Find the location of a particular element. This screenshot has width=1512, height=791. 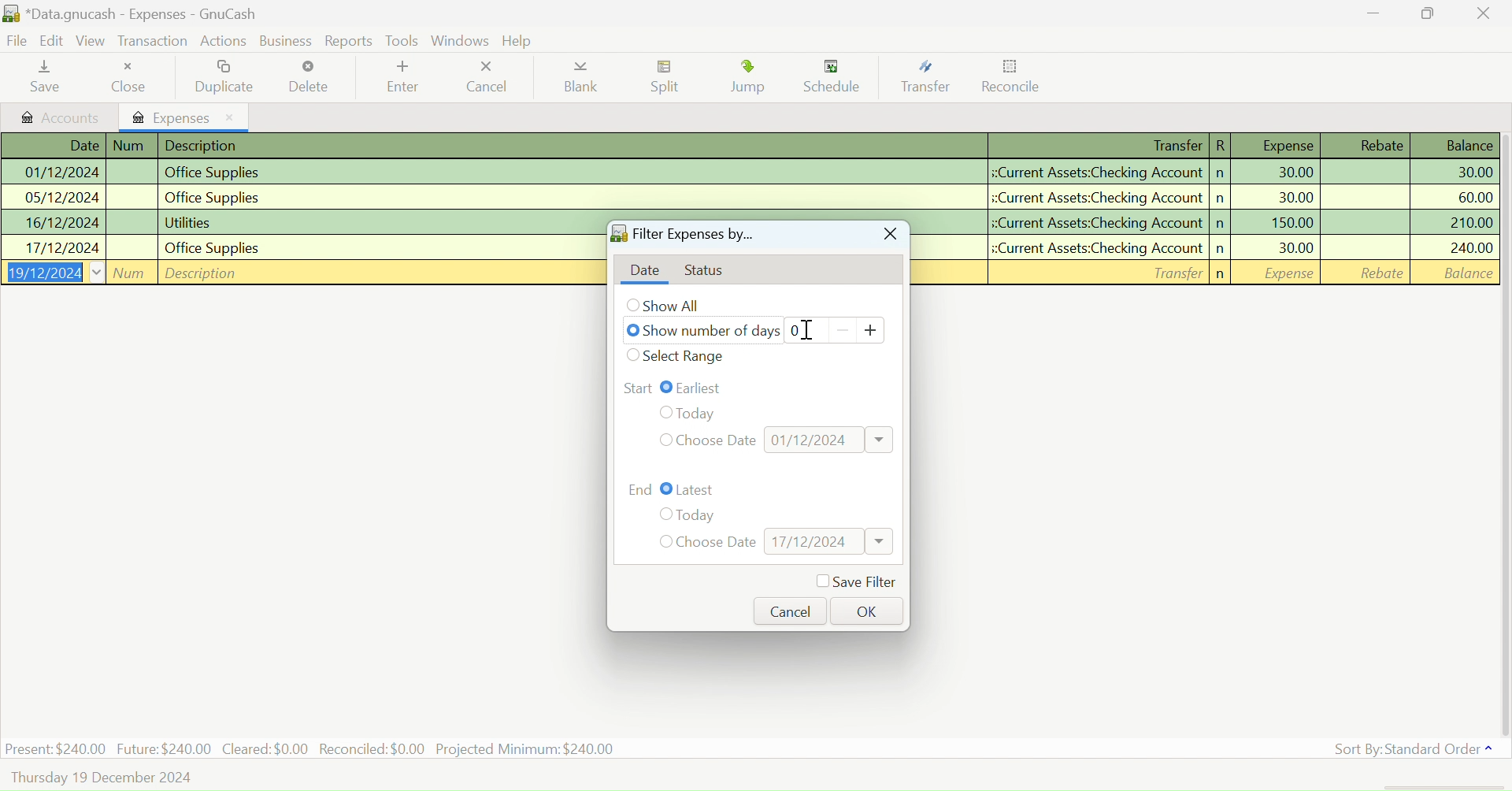

Transactions Column Headings is located at coordinates (751, 147).